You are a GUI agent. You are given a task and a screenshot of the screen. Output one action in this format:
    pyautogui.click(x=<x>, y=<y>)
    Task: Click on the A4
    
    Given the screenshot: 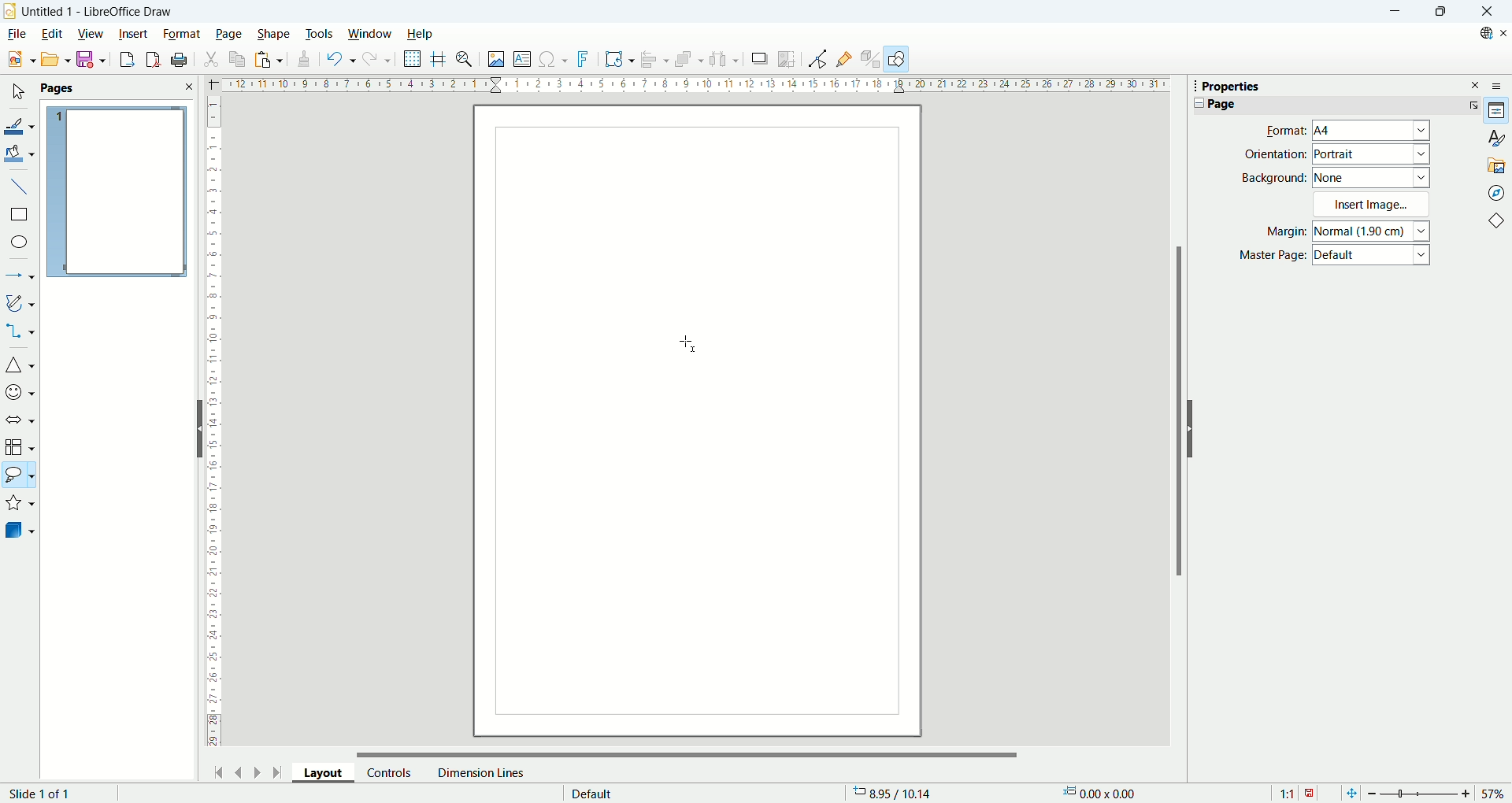 What is the action you would take?
    pyautogui.click(x=1373, y=131)
    